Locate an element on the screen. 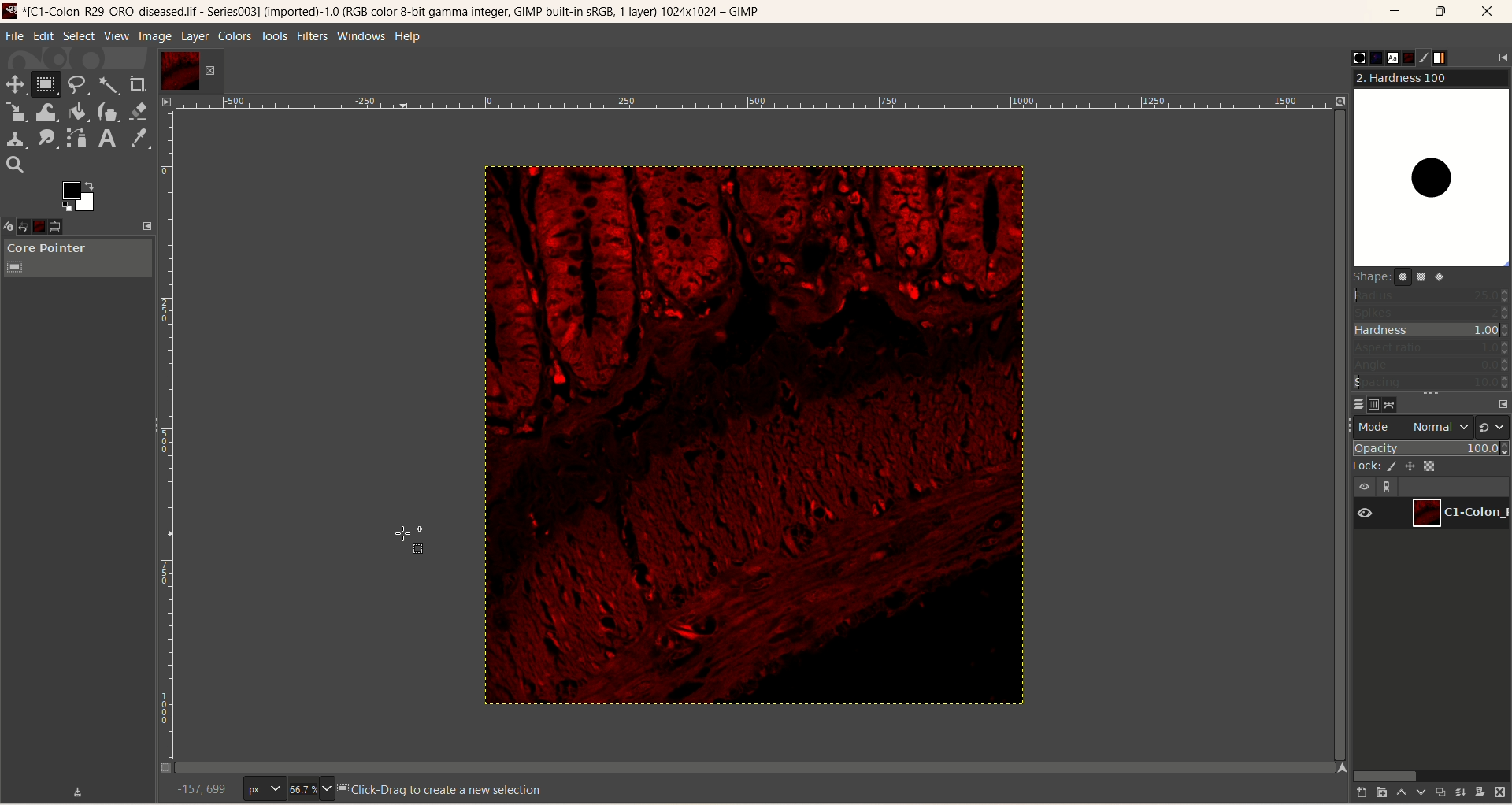 The height and width of the screenshot is (805, 1512). paint bucket is located at coordinates (79, 110).